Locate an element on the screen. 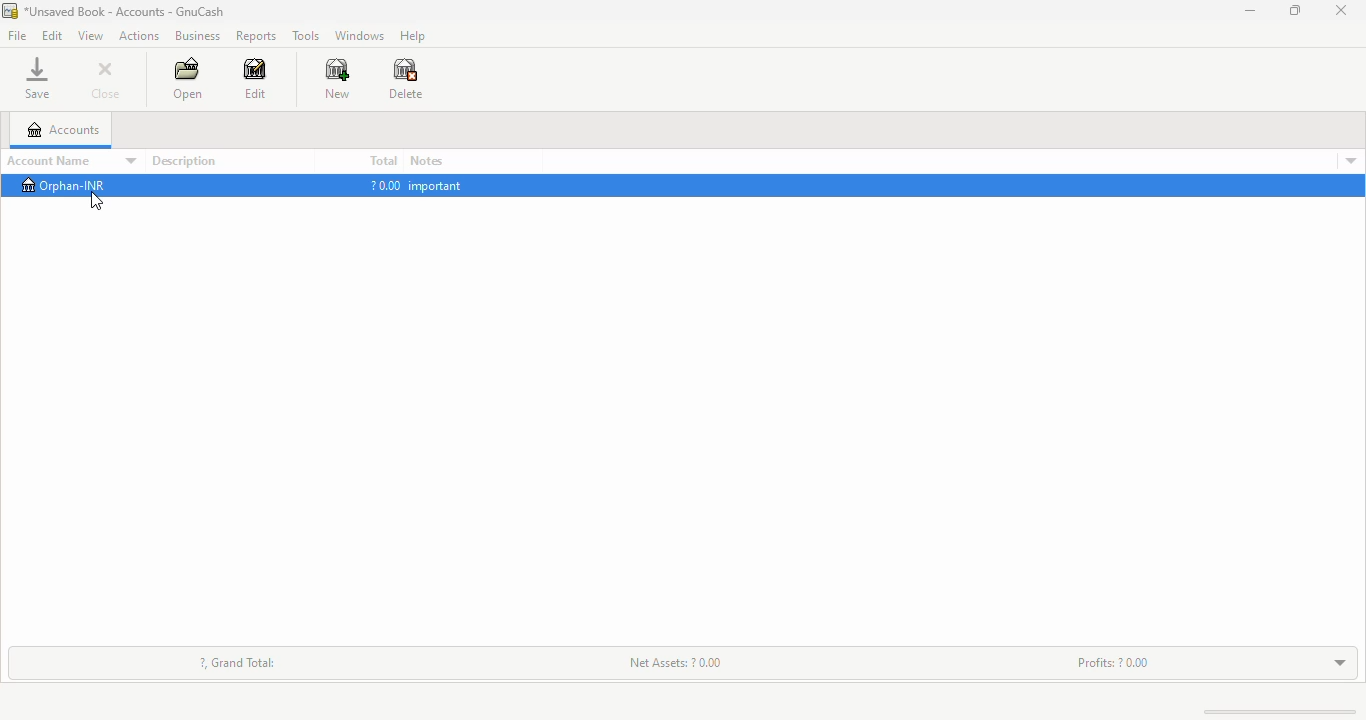 The image size is (1366, 720). accounts is located at coordinates (62, 129).